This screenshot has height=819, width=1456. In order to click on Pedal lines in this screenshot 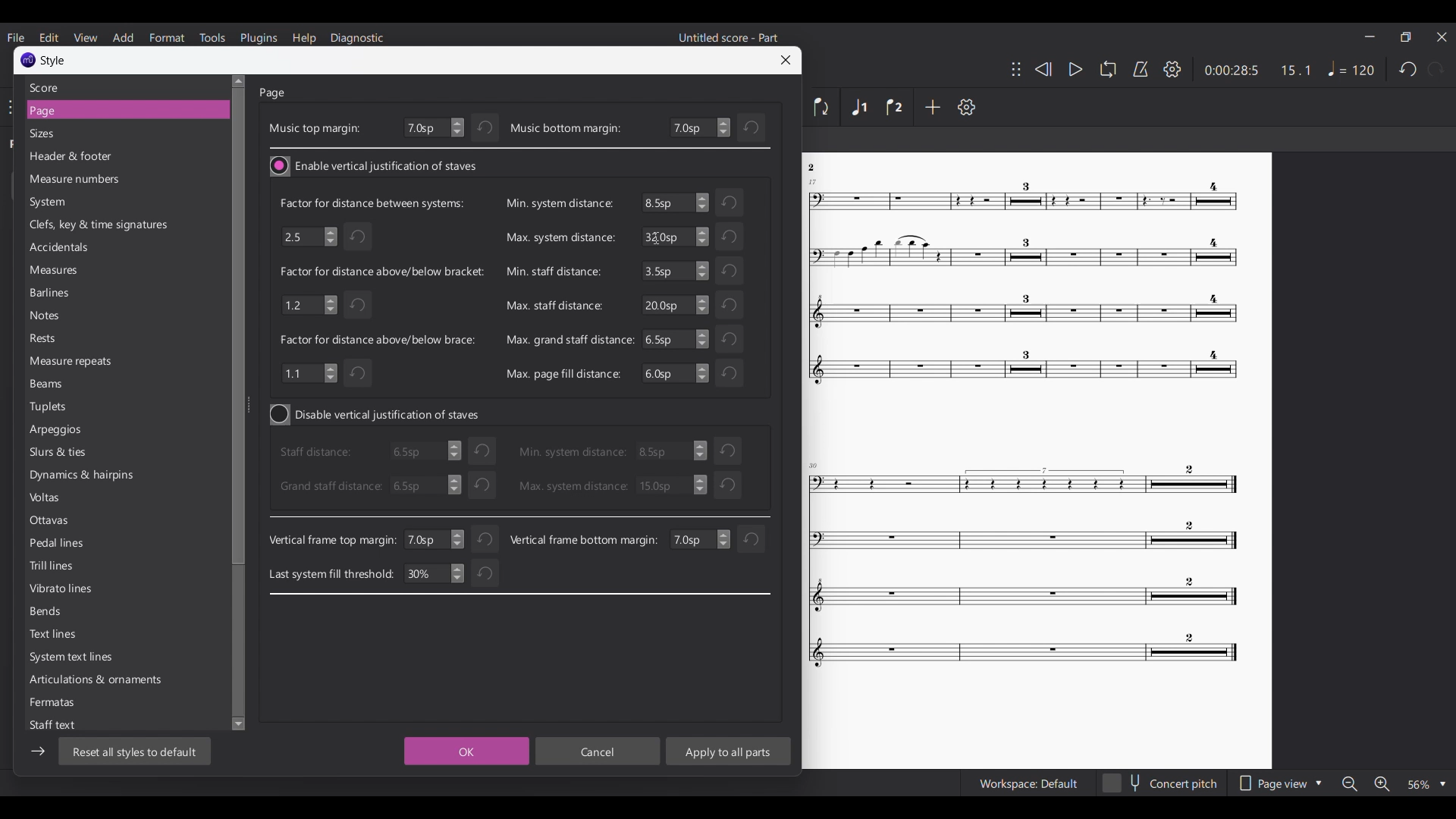, I will do `click(80, 544)`.